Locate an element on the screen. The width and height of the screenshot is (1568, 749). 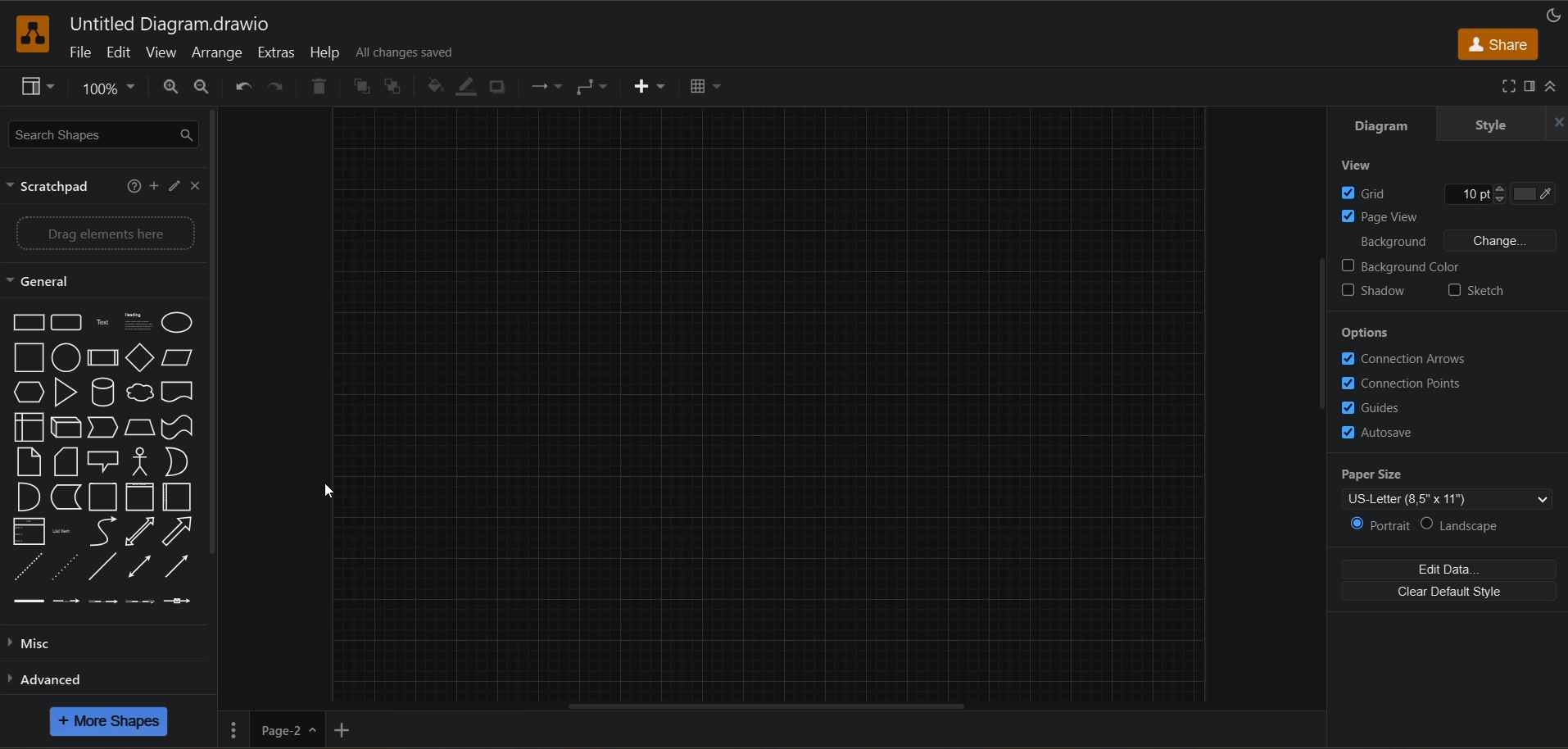
redo is located at coordinates (279, 87).